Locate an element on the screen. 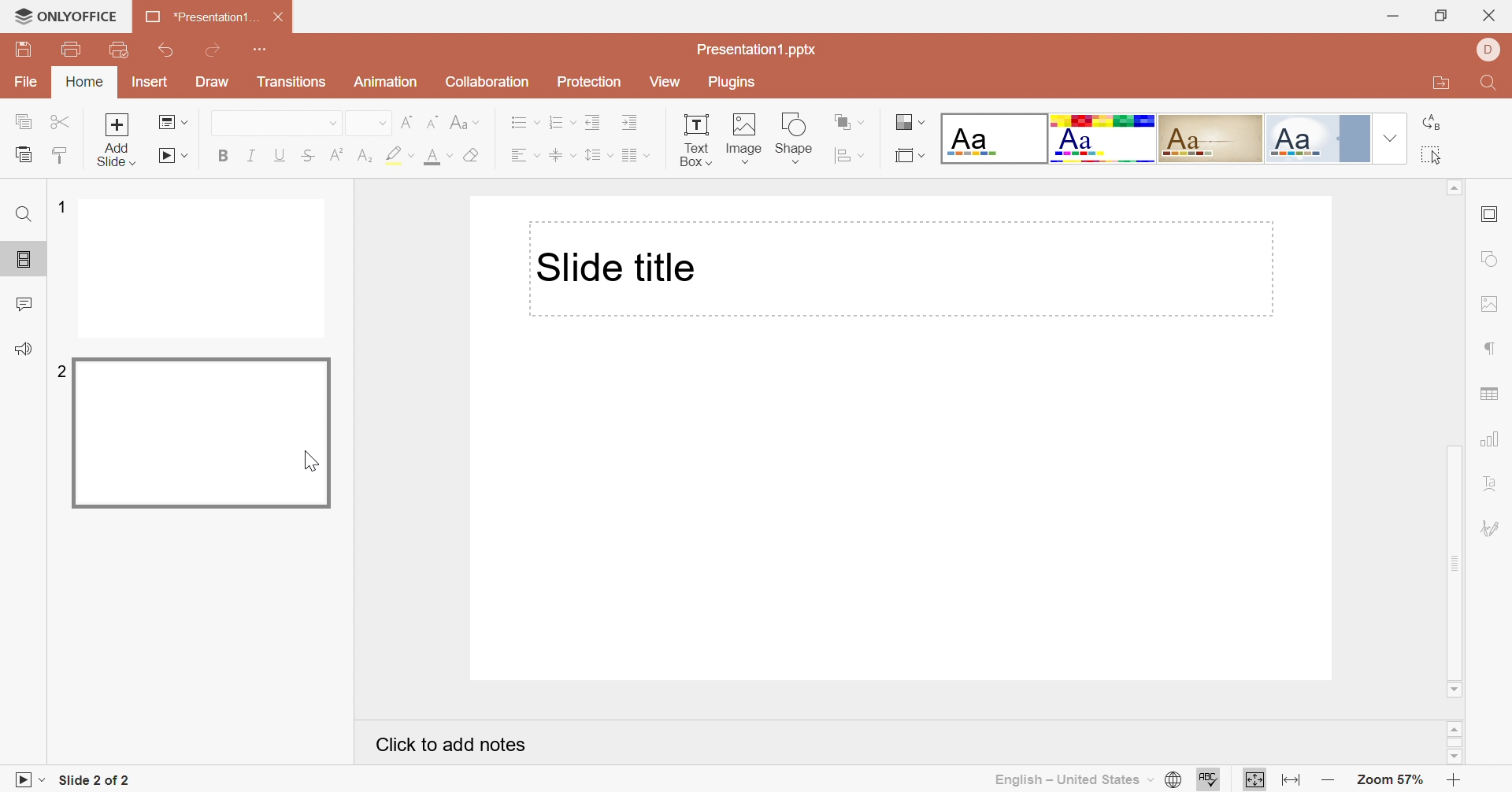 This screenshot has width=1512, height=792. Align Size is located at coordinates (846, 156).